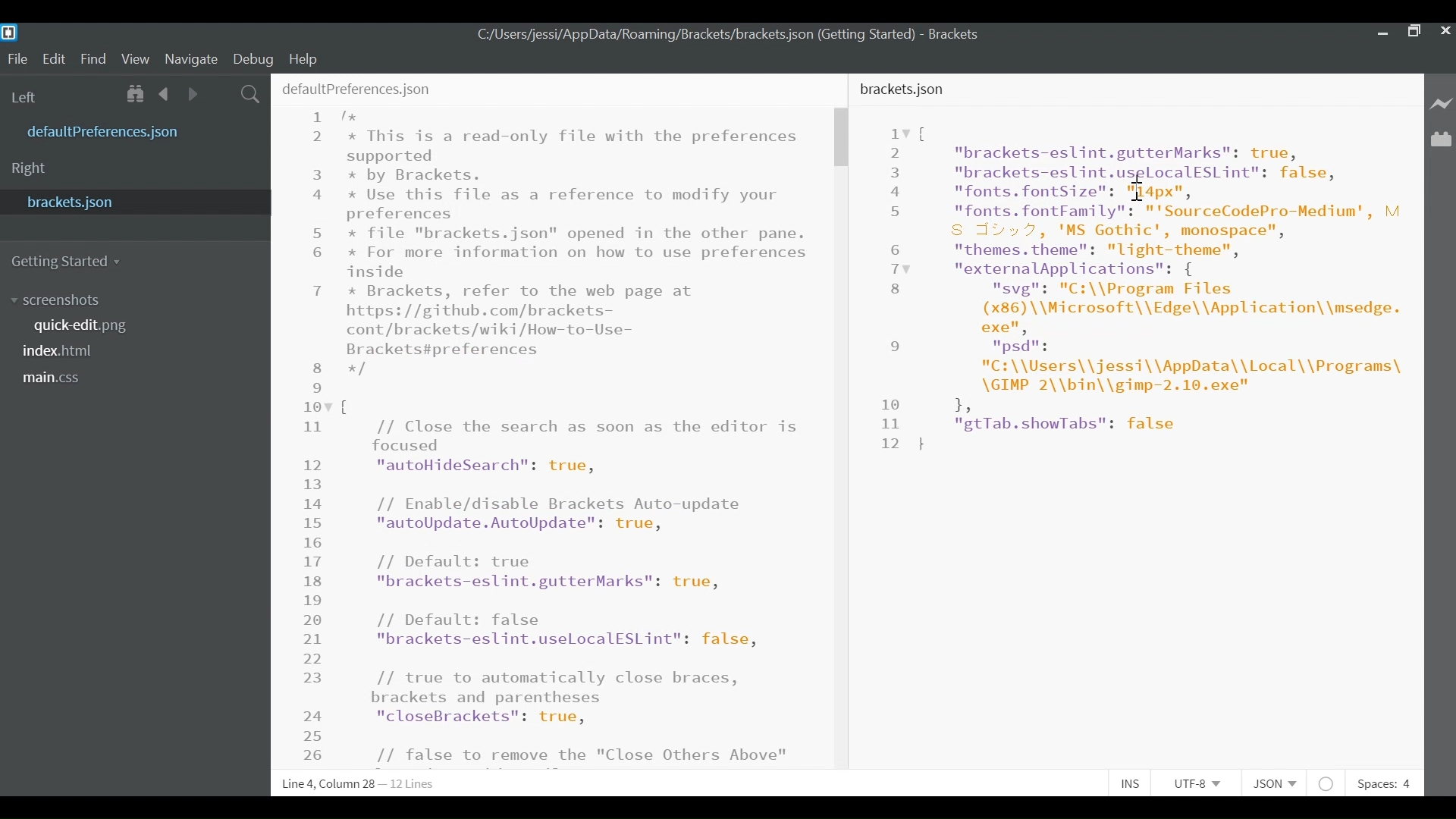 This screenshot has height=819, width=1456. I want to click on Edit, so click(56, 59).